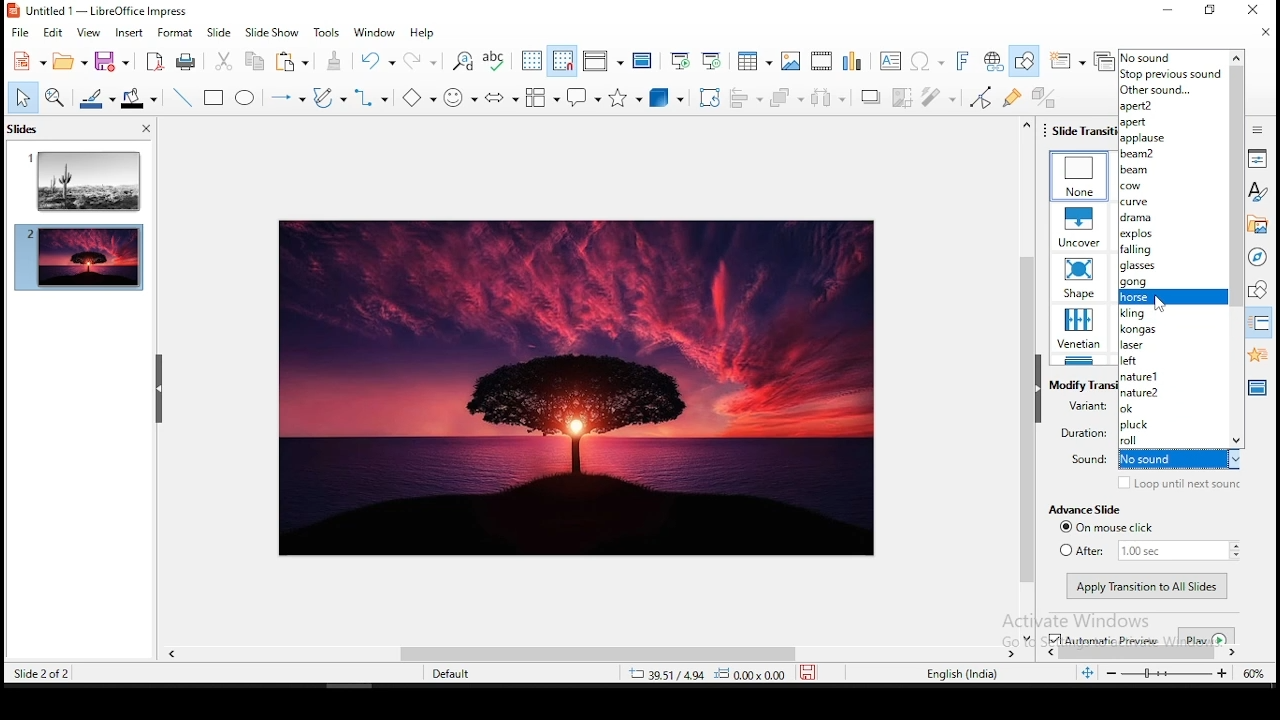 This screenshot has width=1280, height=720. Describe the element at coordinates (180, 94) in the screenshot. I see `line` at that location.